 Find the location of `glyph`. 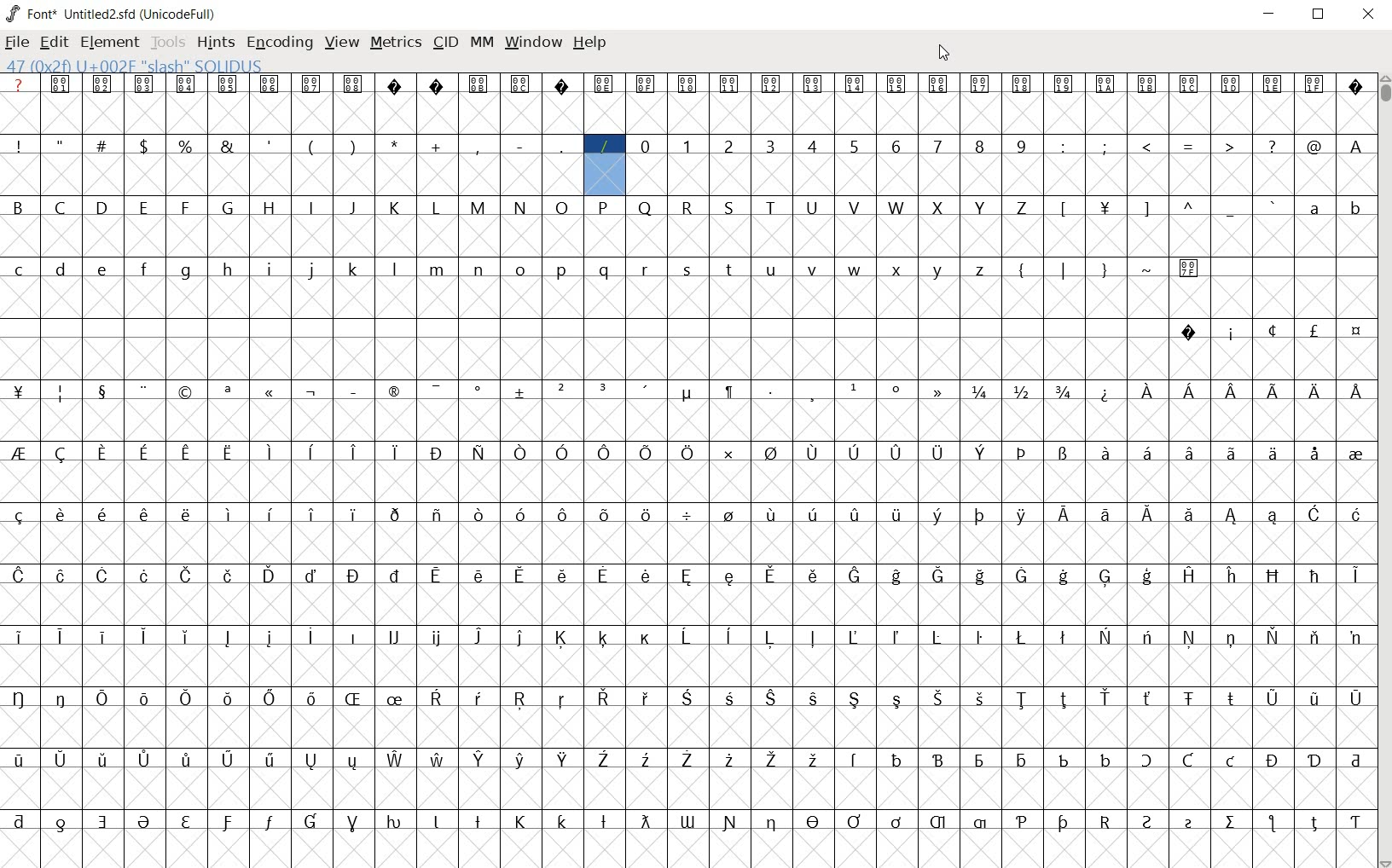

glyph is located at coordinates (772, 824).